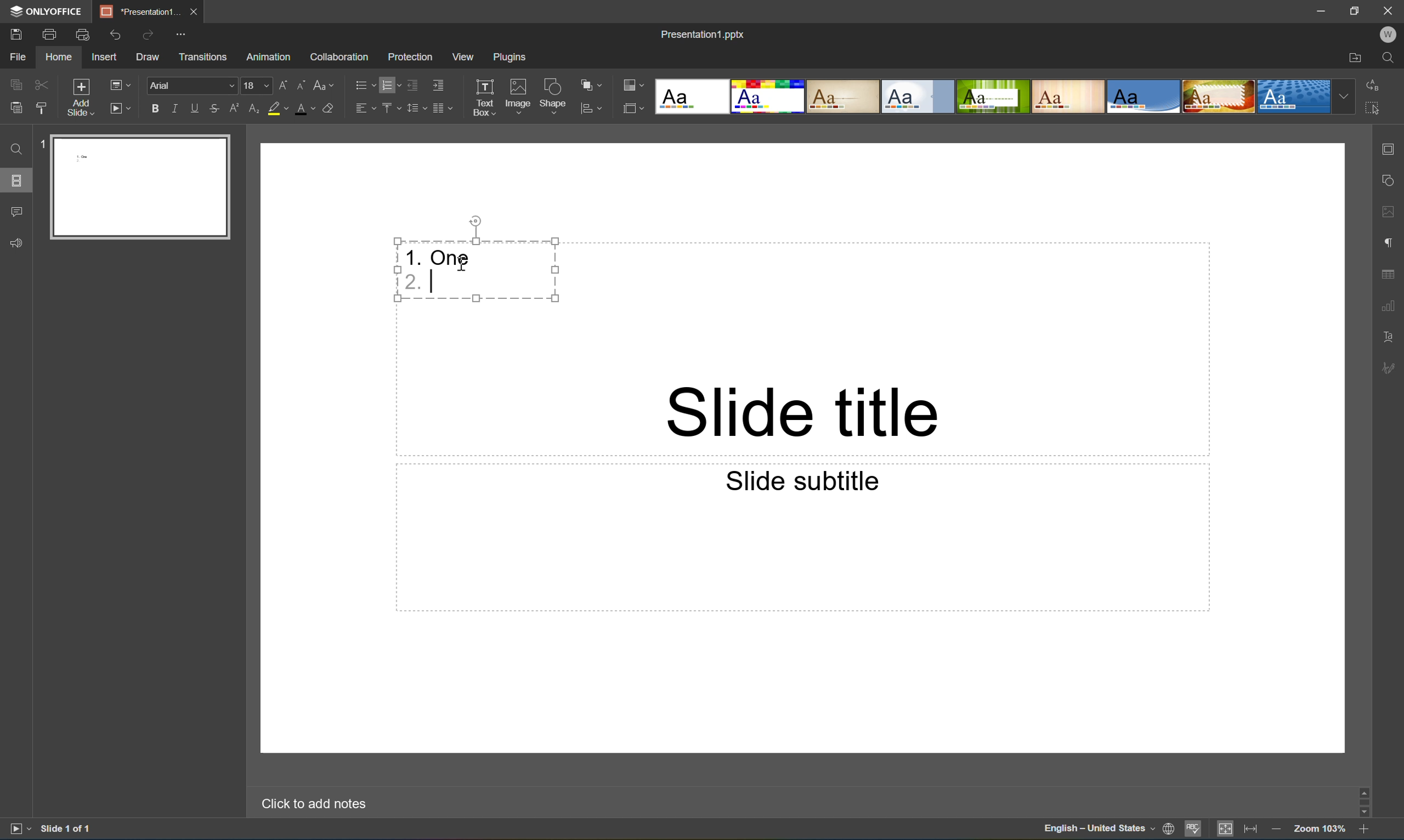 The height and width of the screenshot is (840, 1404). I want to click on Zoom in, so click(1364, 832).